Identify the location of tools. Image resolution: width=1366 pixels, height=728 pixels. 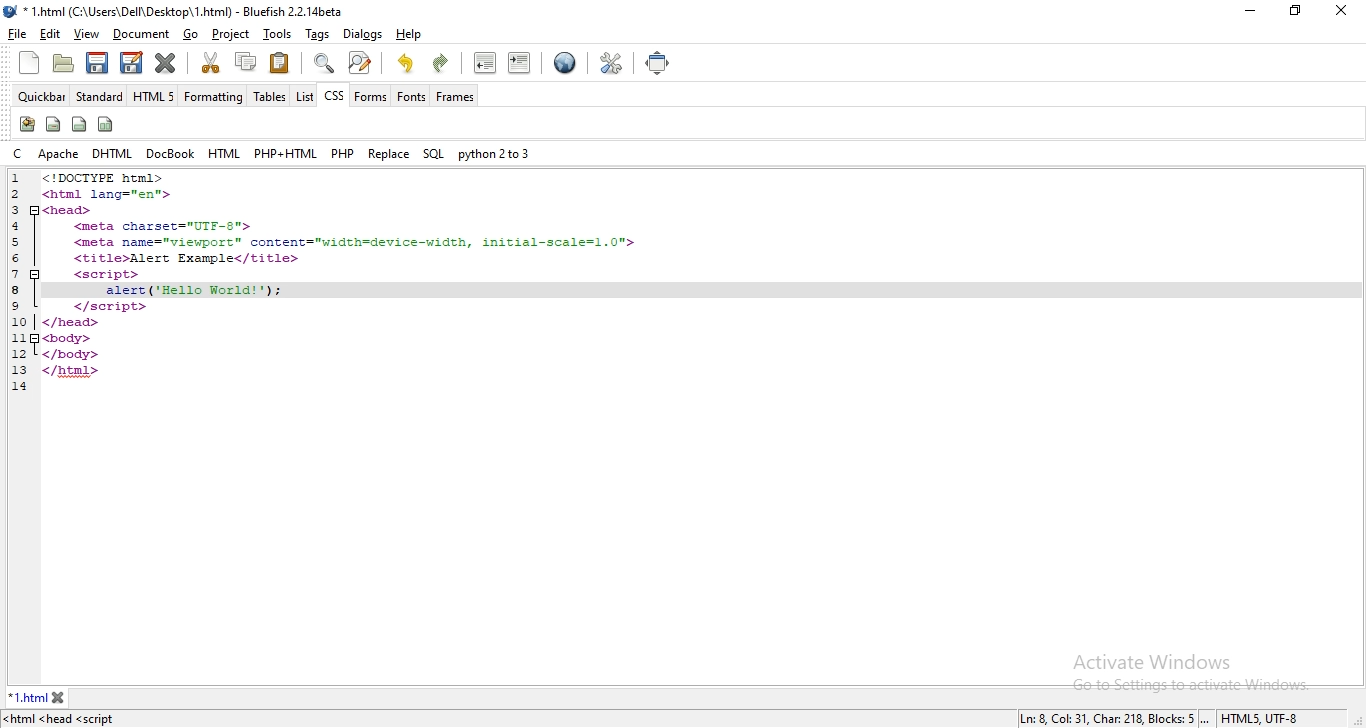
(277, 33).